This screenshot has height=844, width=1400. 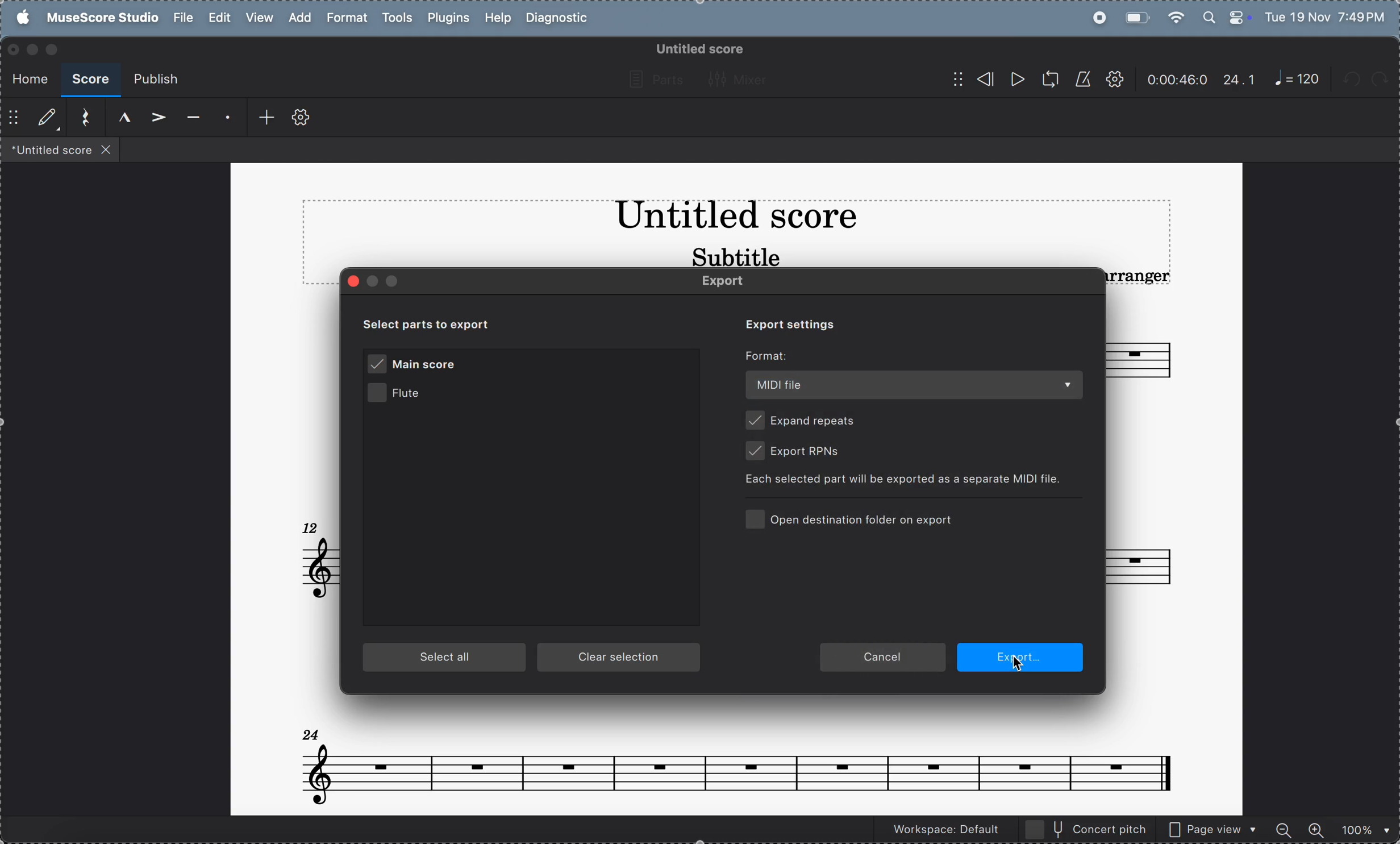 What do you see at coordinates (1315, 828) in the screenshot?
I see `zoom in` at bounding box center [1315, 828].